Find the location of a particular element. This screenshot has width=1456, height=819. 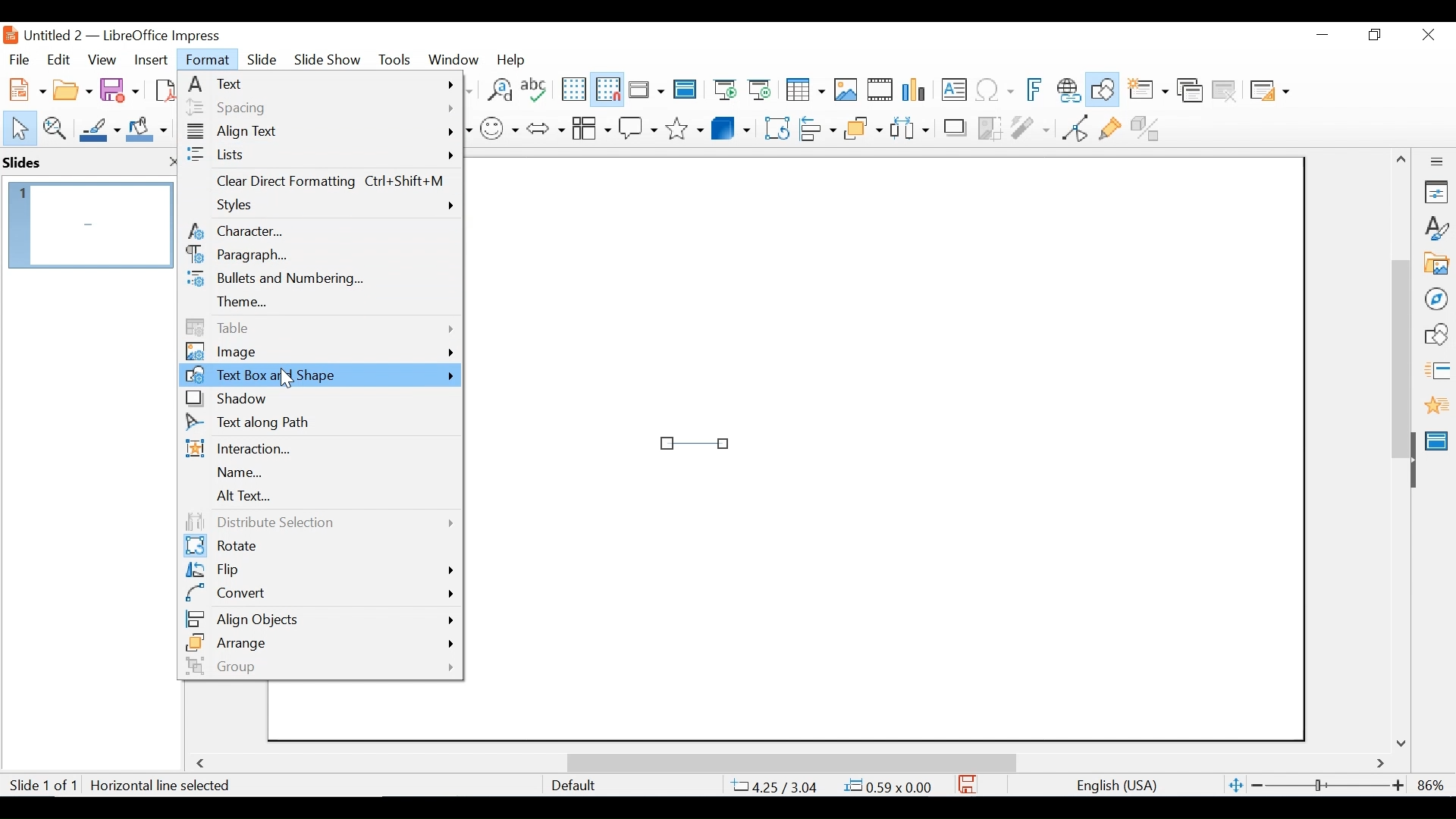

Alt Text is located at coordinates (318, 497).